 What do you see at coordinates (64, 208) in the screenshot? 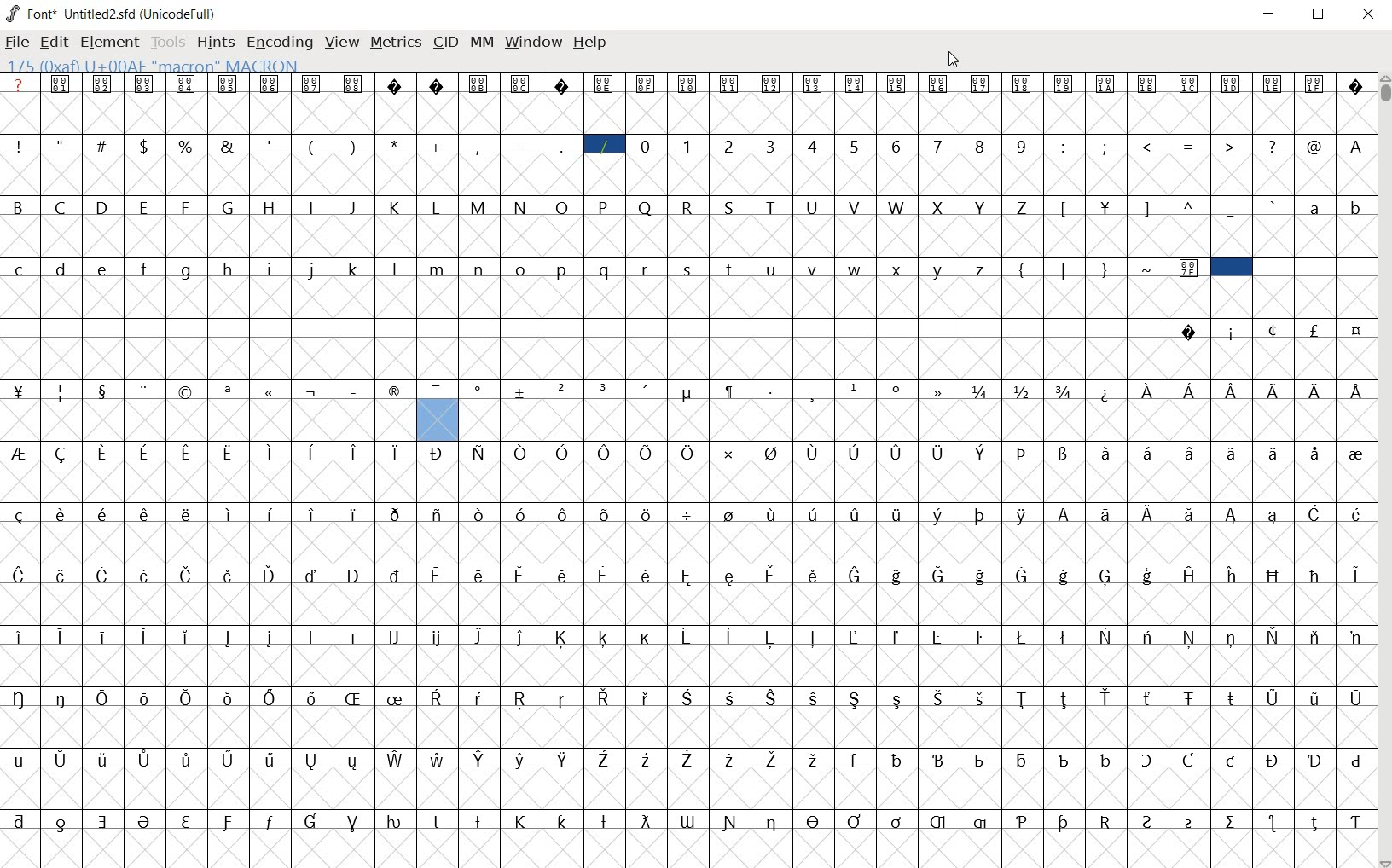
I see `C` at bounding box center [64, 208].